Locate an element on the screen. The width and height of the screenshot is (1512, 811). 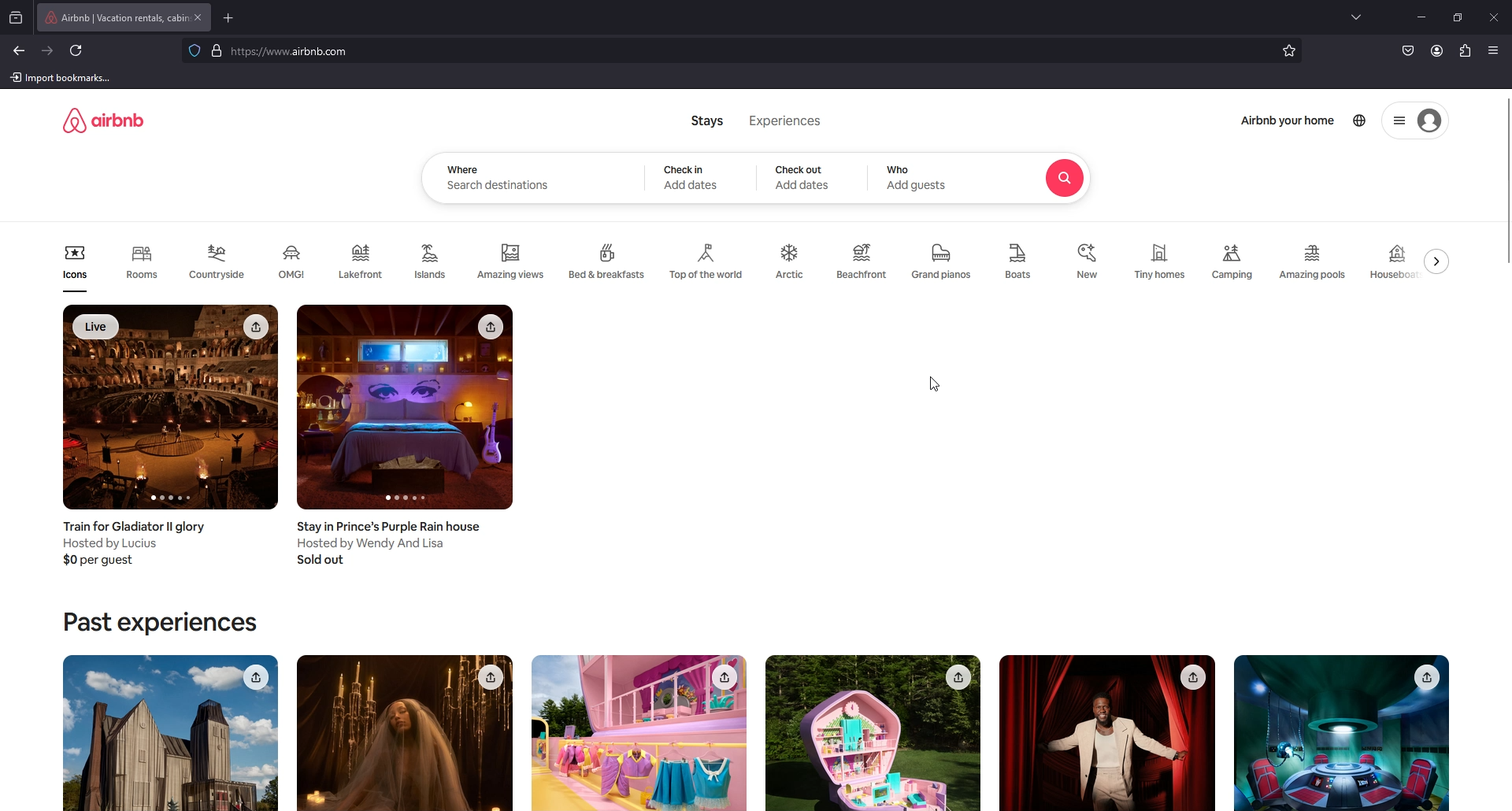
Beachfront is located at coordinates (862, 263).